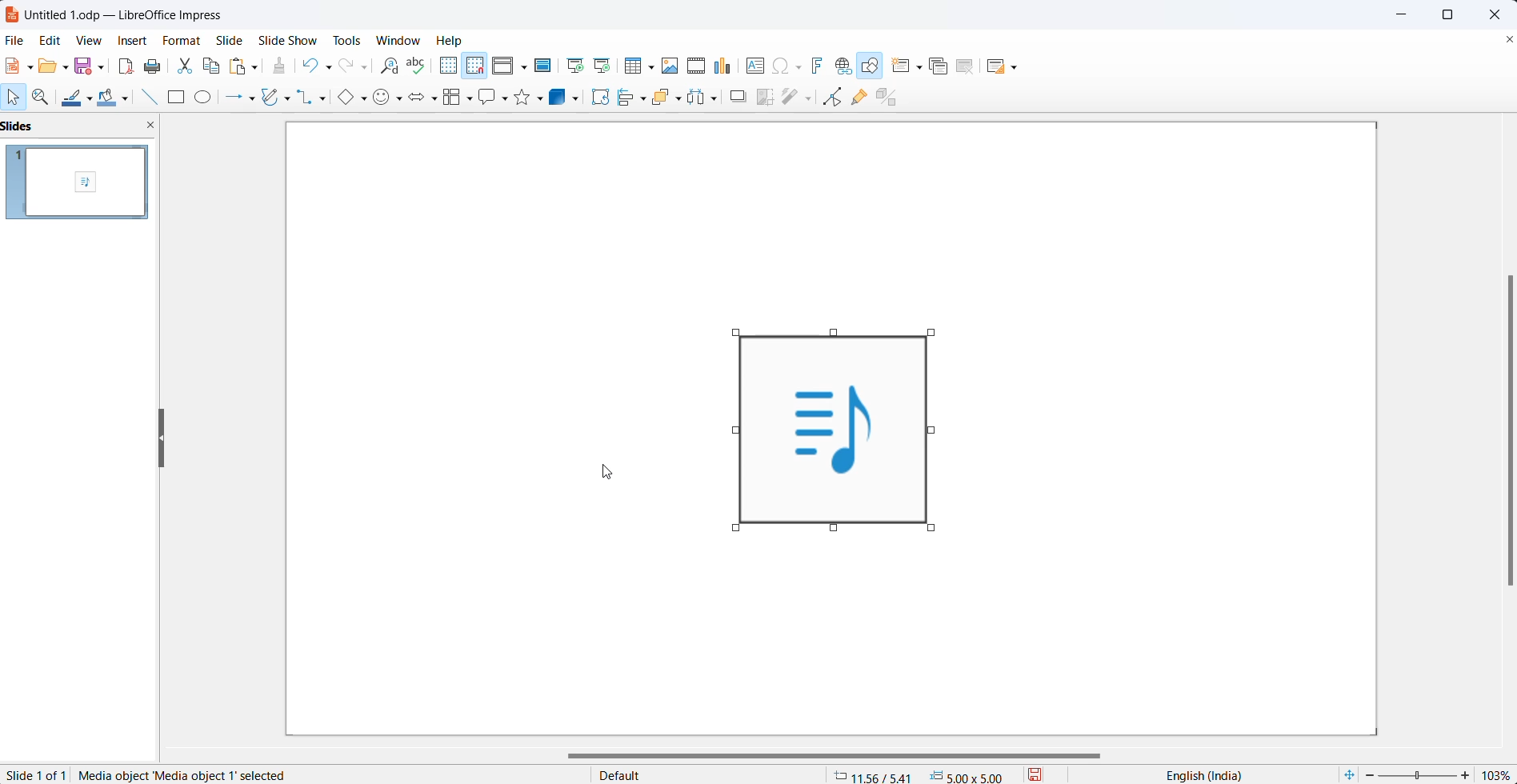 This screenshot has width=1517, height=784. I want to click on lines and arrow, so click(231, 99).